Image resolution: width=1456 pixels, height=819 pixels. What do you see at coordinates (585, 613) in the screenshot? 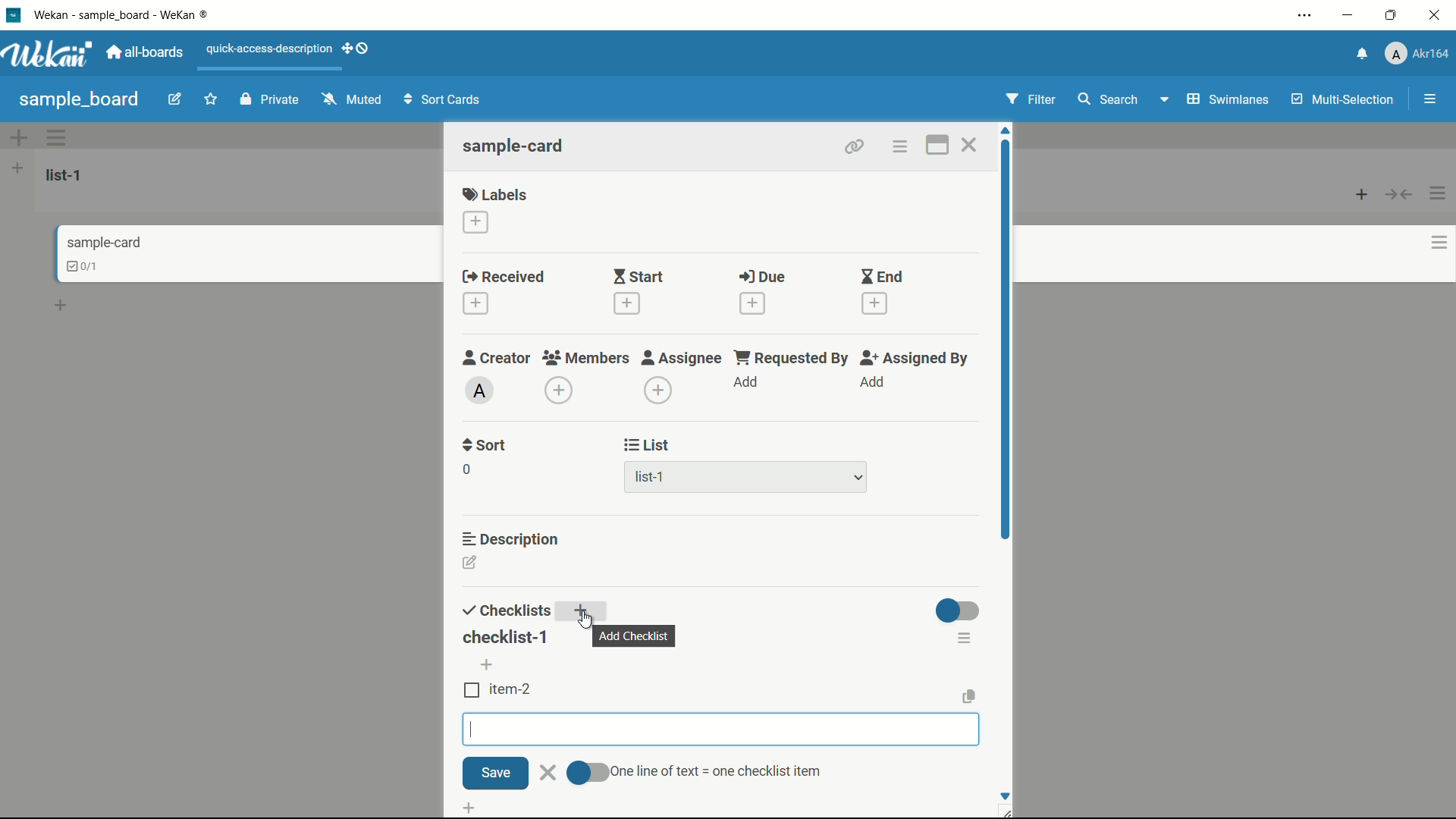
I see `add` at bounding box center [585, 613].